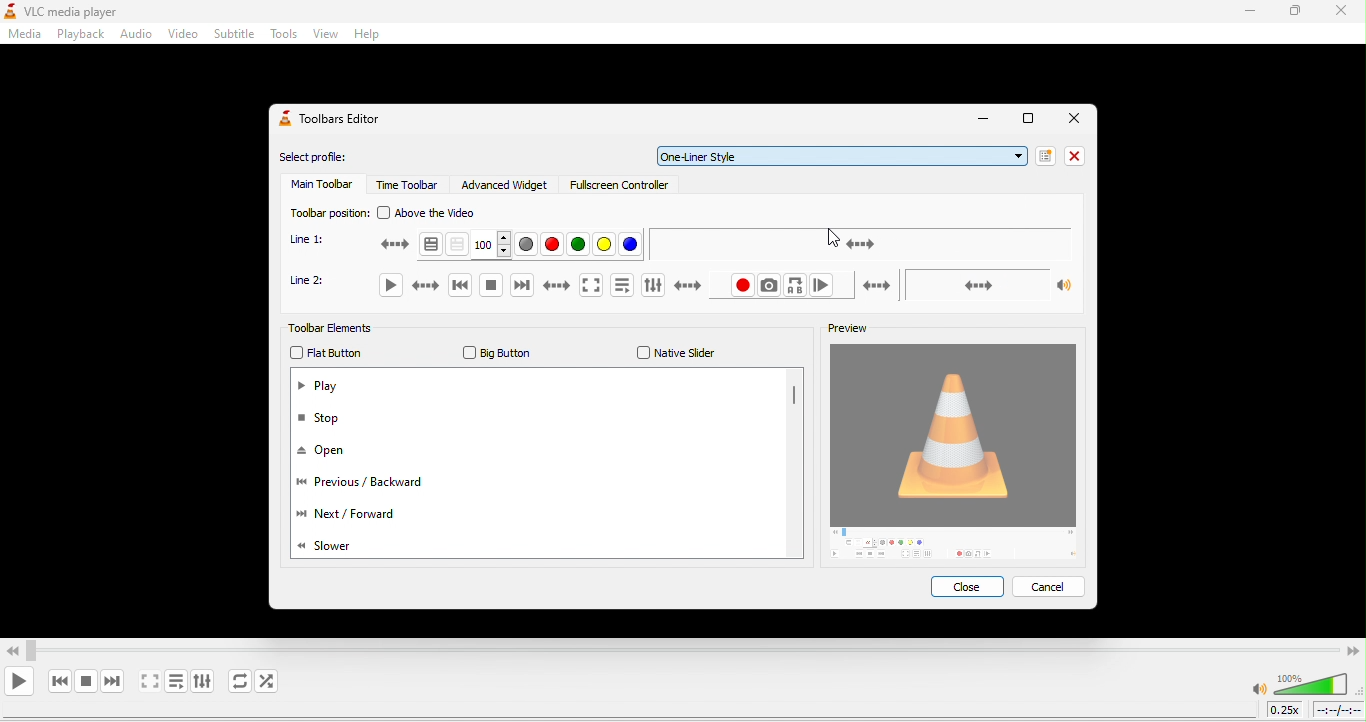 This screenshot has width=1366, height=722. I want to click on playback speed, so click(1285, 711).